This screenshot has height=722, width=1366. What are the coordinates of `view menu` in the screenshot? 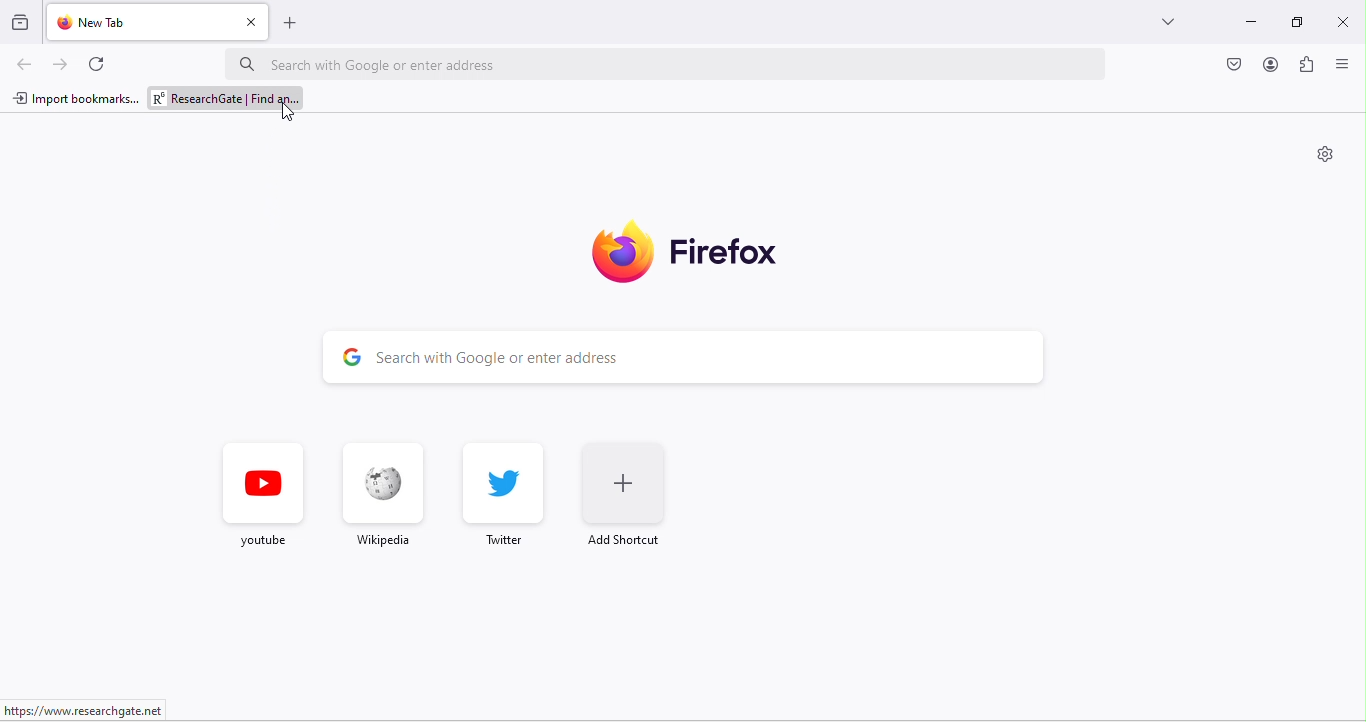 It's located at (1346, 65).